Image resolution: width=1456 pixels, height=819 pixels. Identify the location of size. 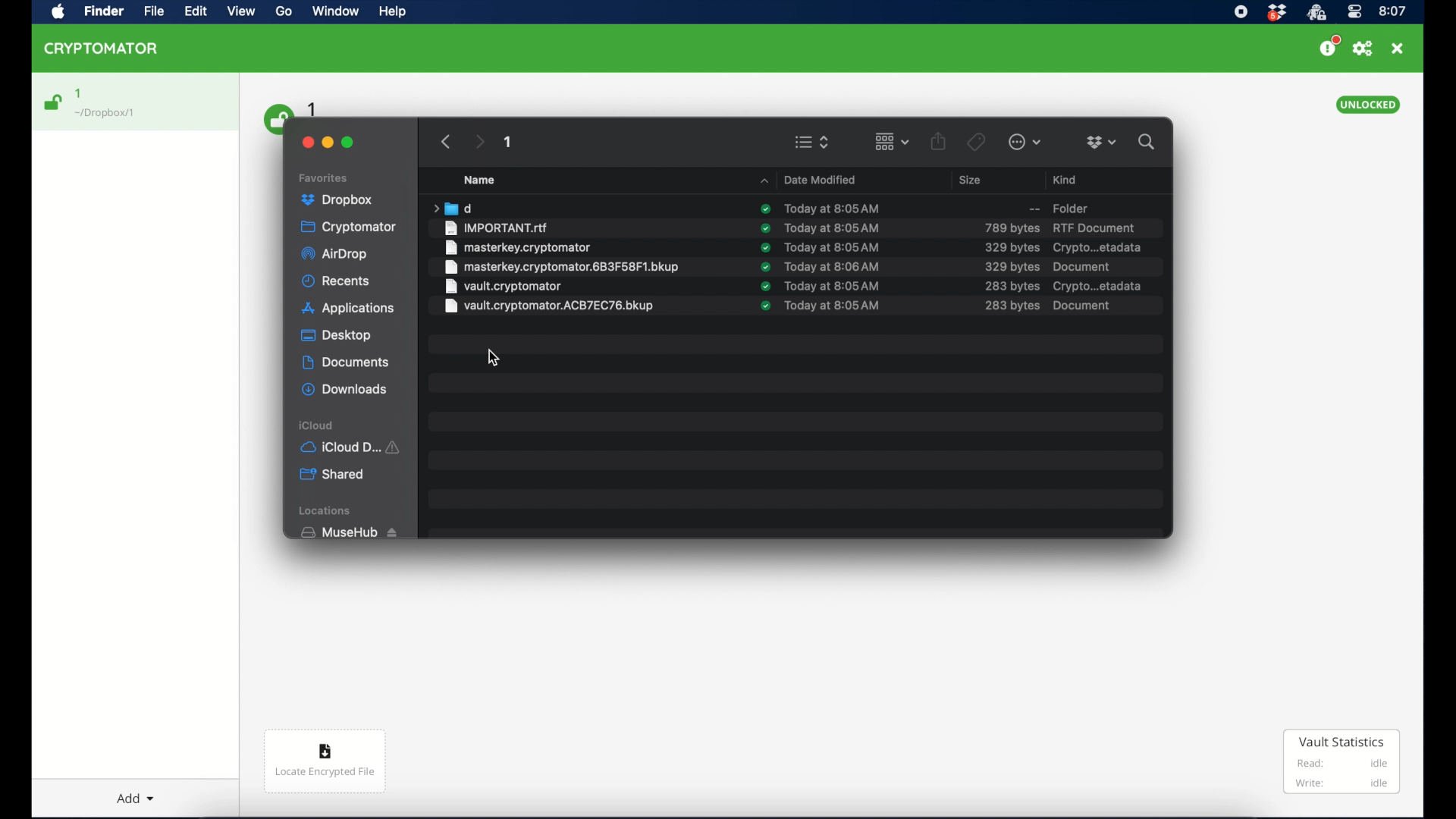
(1011, 247).